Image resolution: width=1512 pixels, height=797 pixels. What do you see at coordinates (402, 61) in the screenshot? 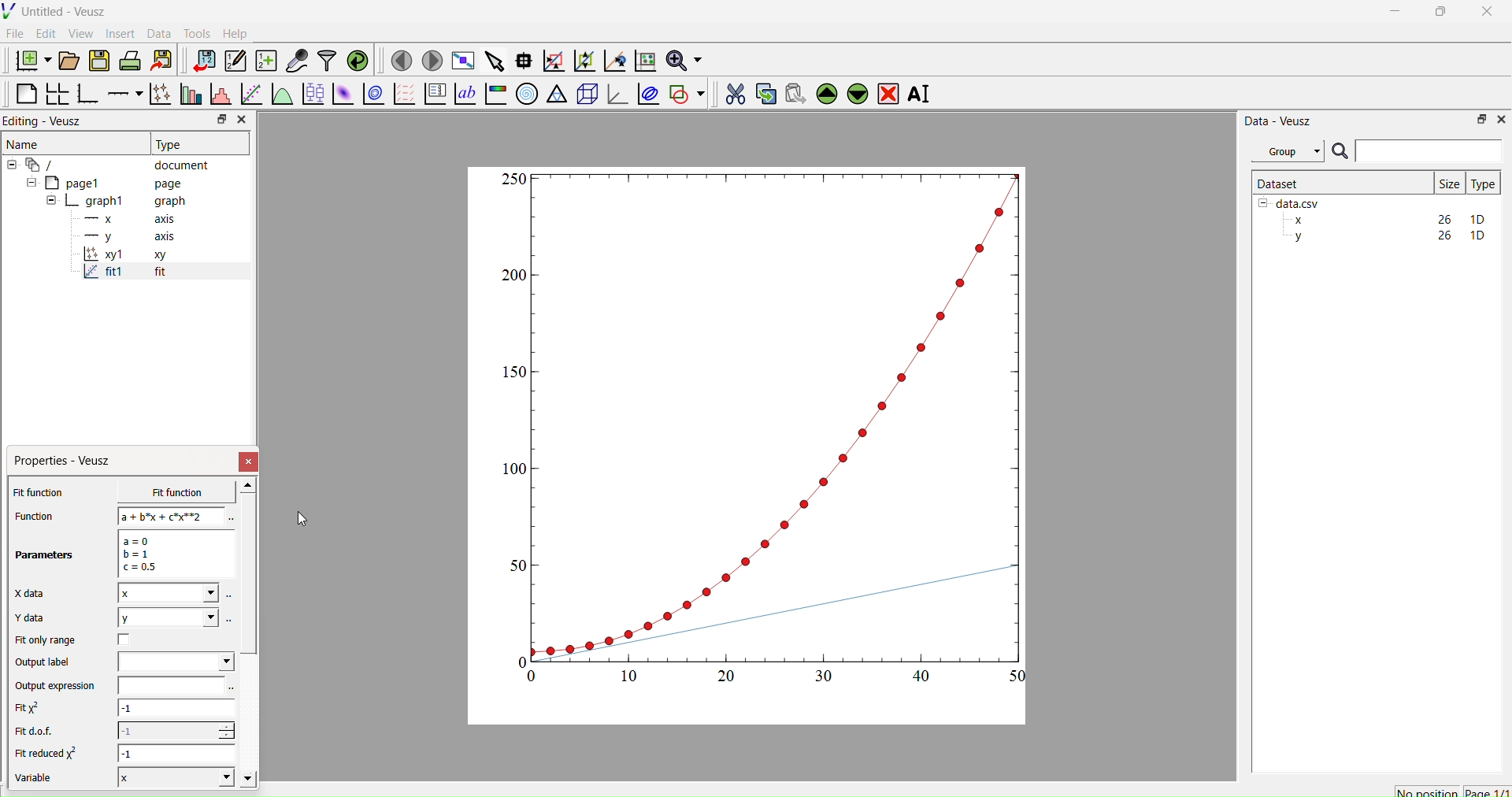
I see `Previous page` at bounding box center [402, 61].